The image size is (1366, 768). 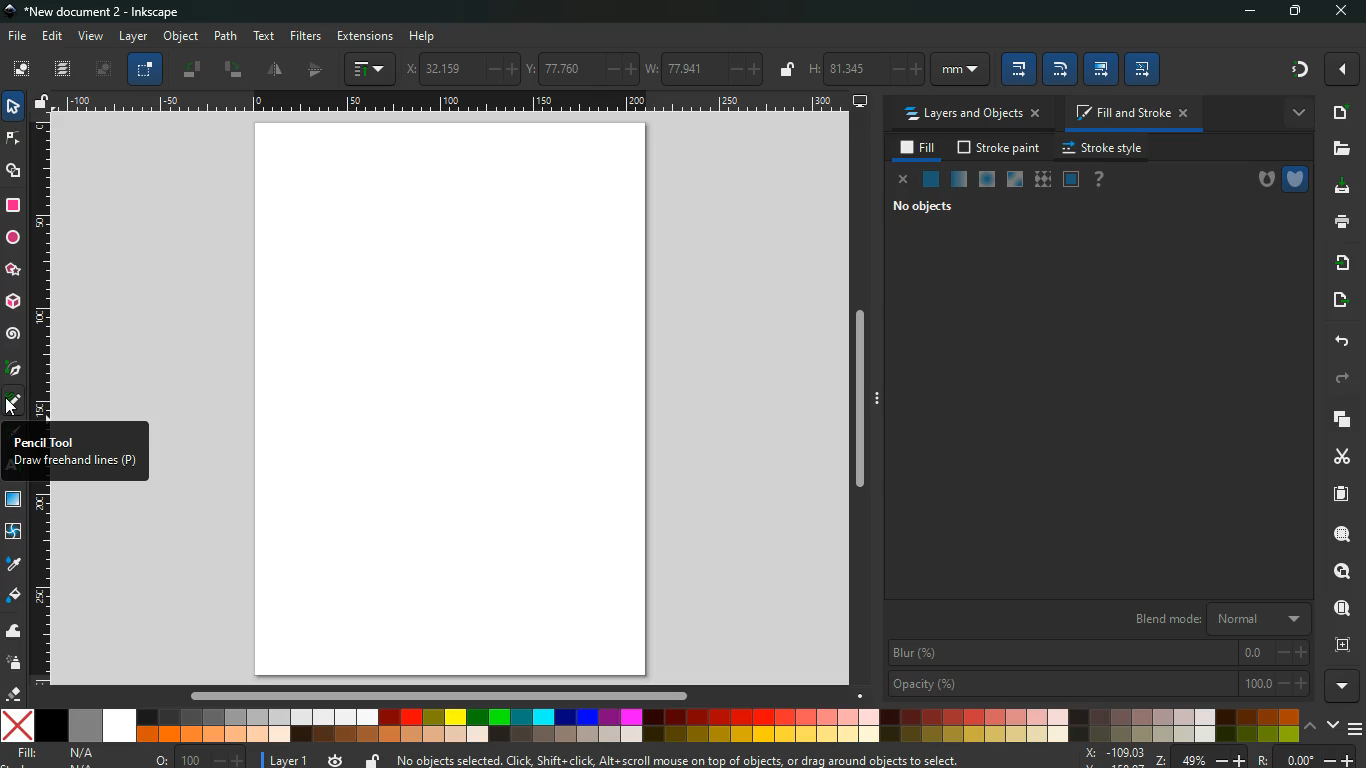 What do you see at coordinates (1339, 457) in the screenshot?
I see `cut` at bounding box center [1339, 457].